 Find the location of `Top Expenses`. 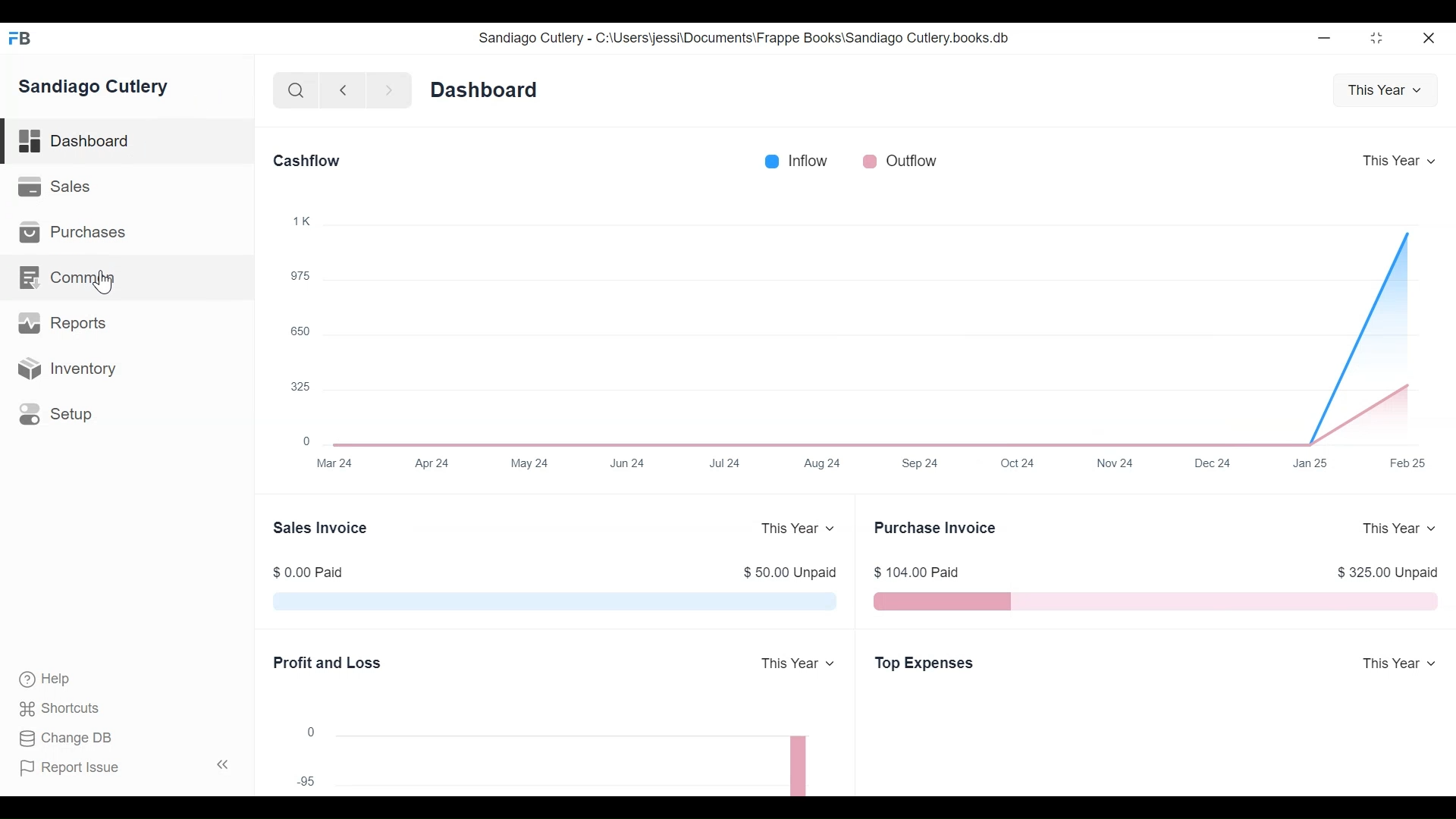

Top Expenses is located at coordinates (924, 664).